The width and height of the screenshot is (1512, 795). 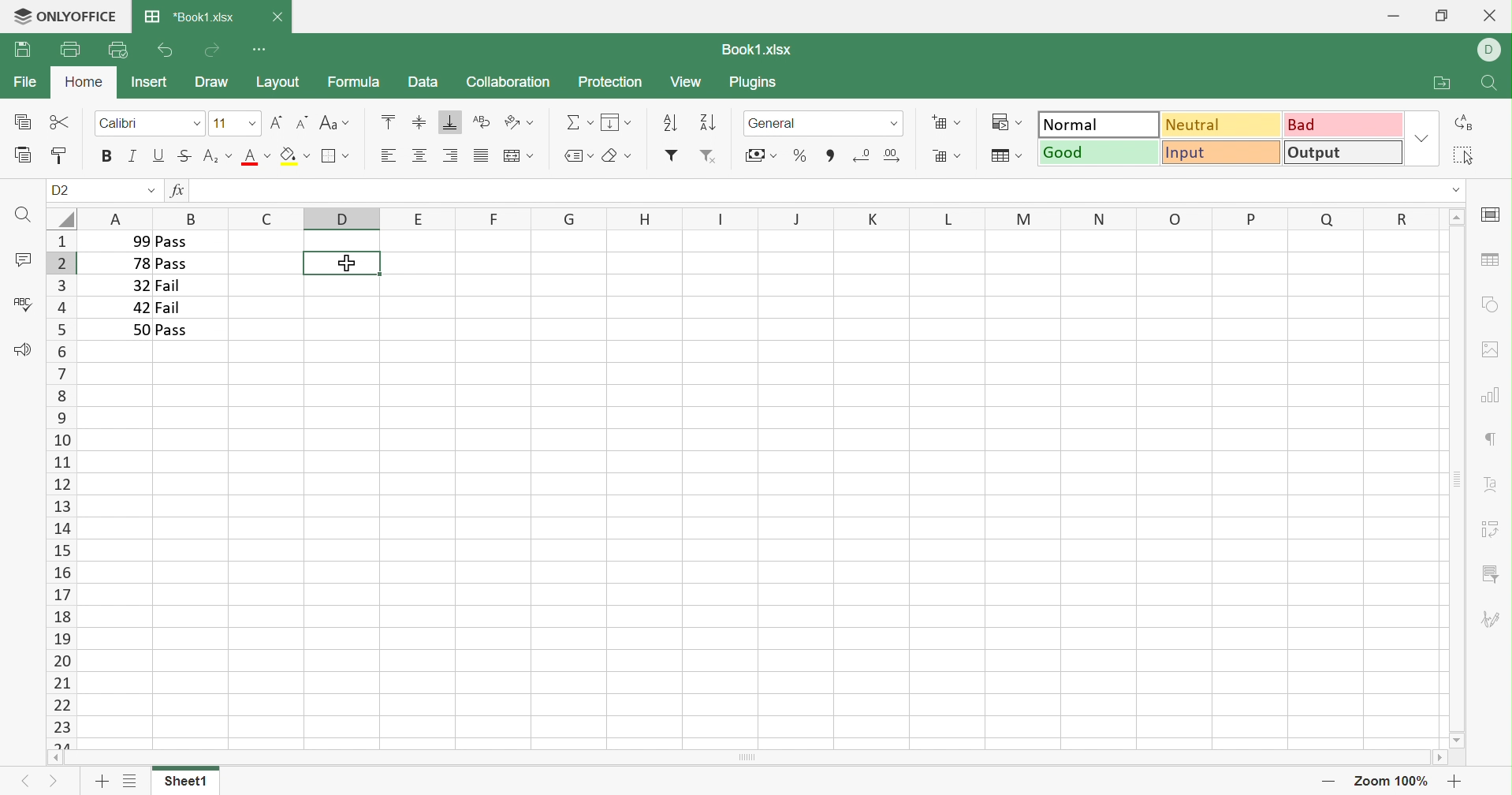 I want to click on D2, so click(x=61, y=191).